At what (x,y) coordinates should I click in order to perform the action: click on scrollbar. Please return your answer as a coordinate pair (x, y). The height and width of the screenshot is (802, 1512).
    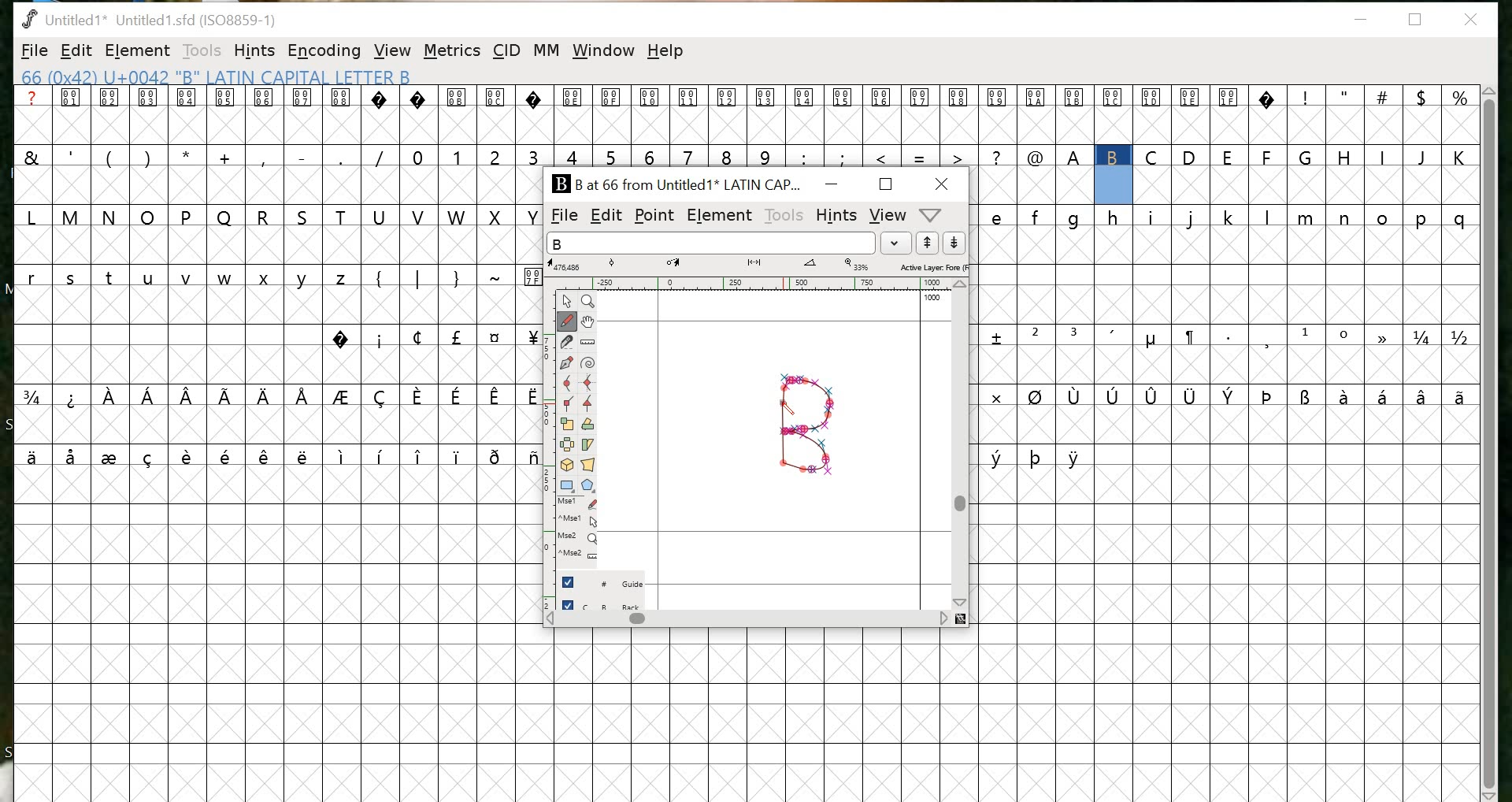
    Looking at the image, I should click on (962, 445).